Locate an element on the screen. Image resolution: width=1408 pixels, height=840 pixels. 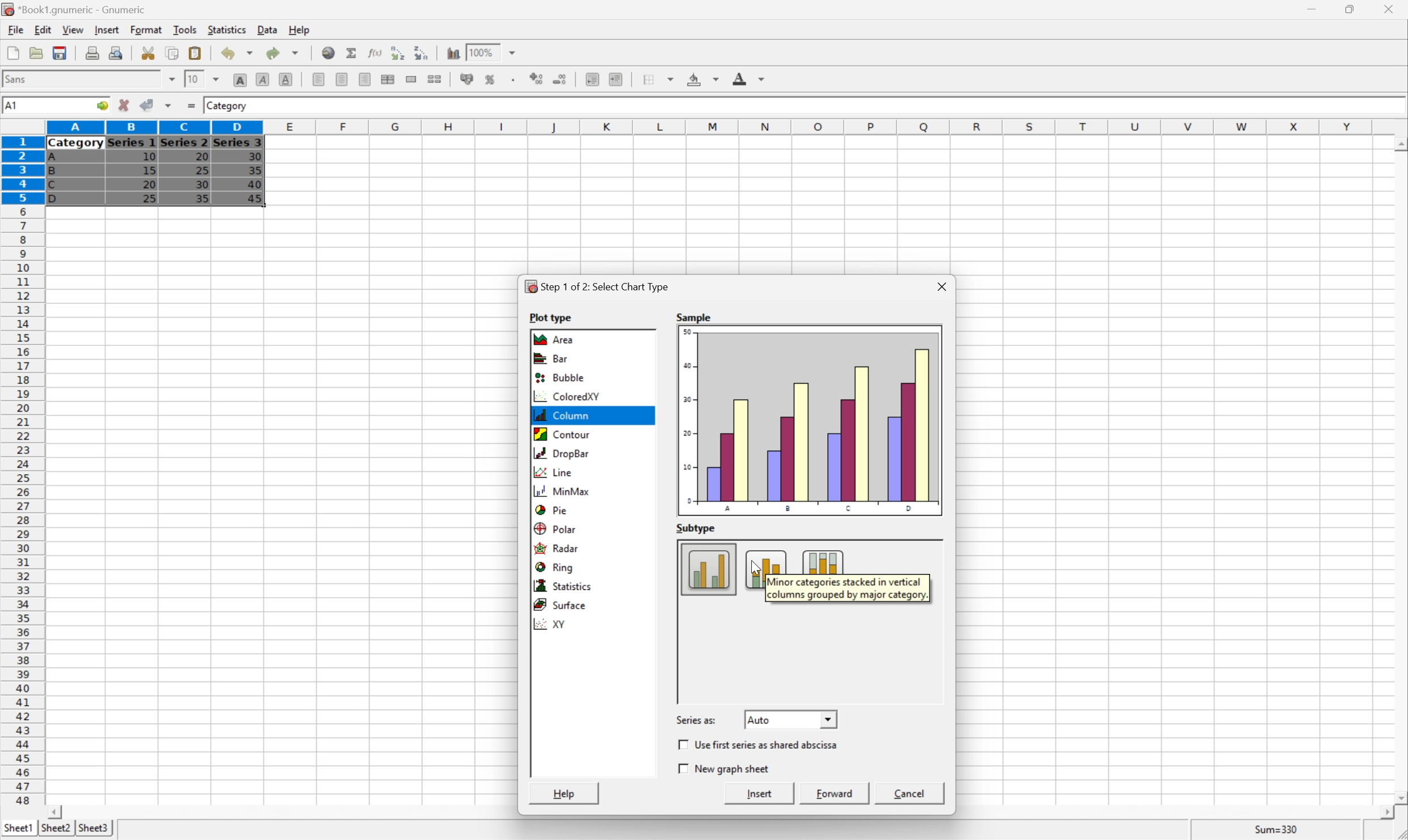
Format is located at coordinates (146, 29).